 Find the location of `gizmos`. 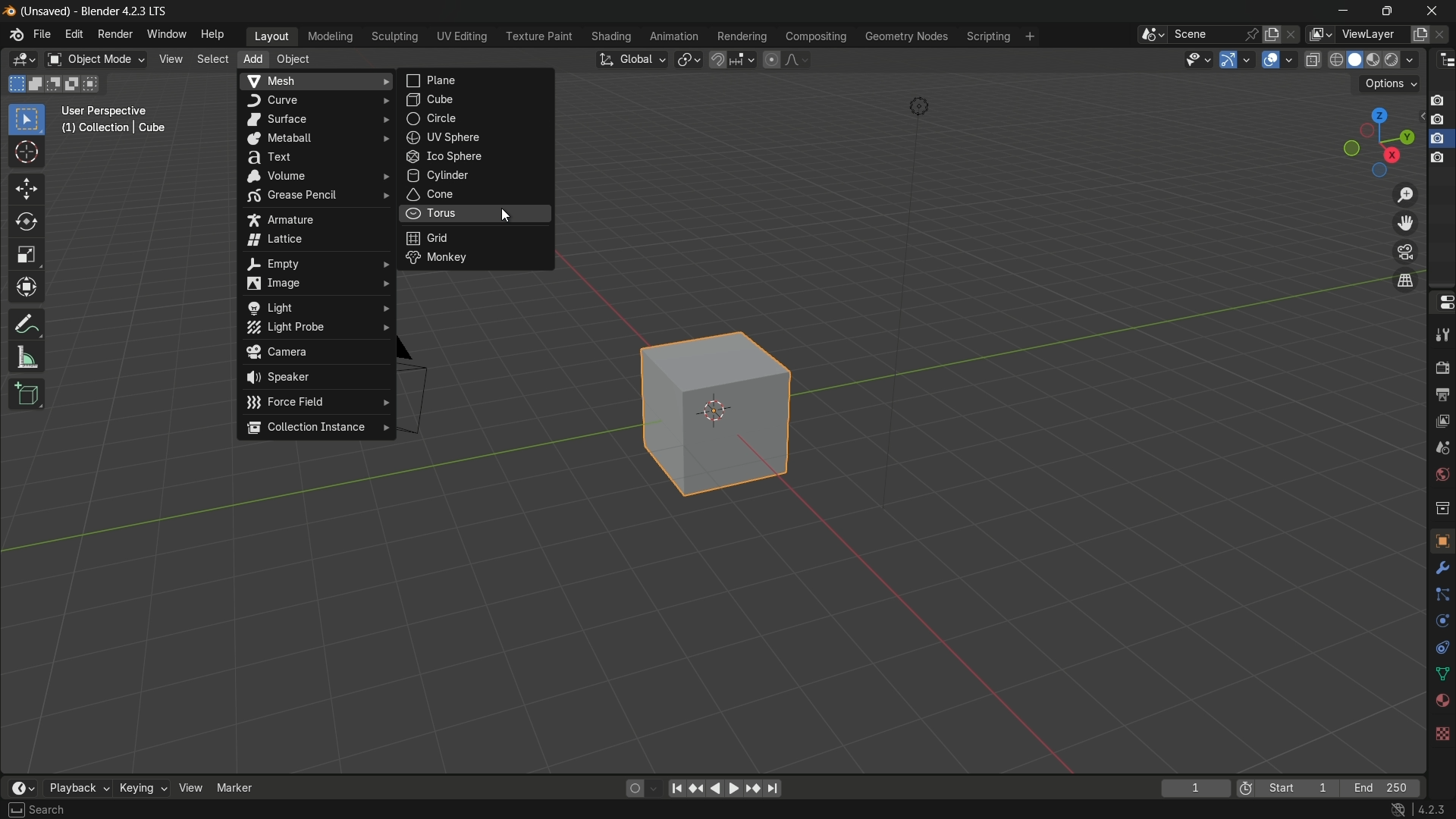

gizmos is located at coordinates (1247, 58).